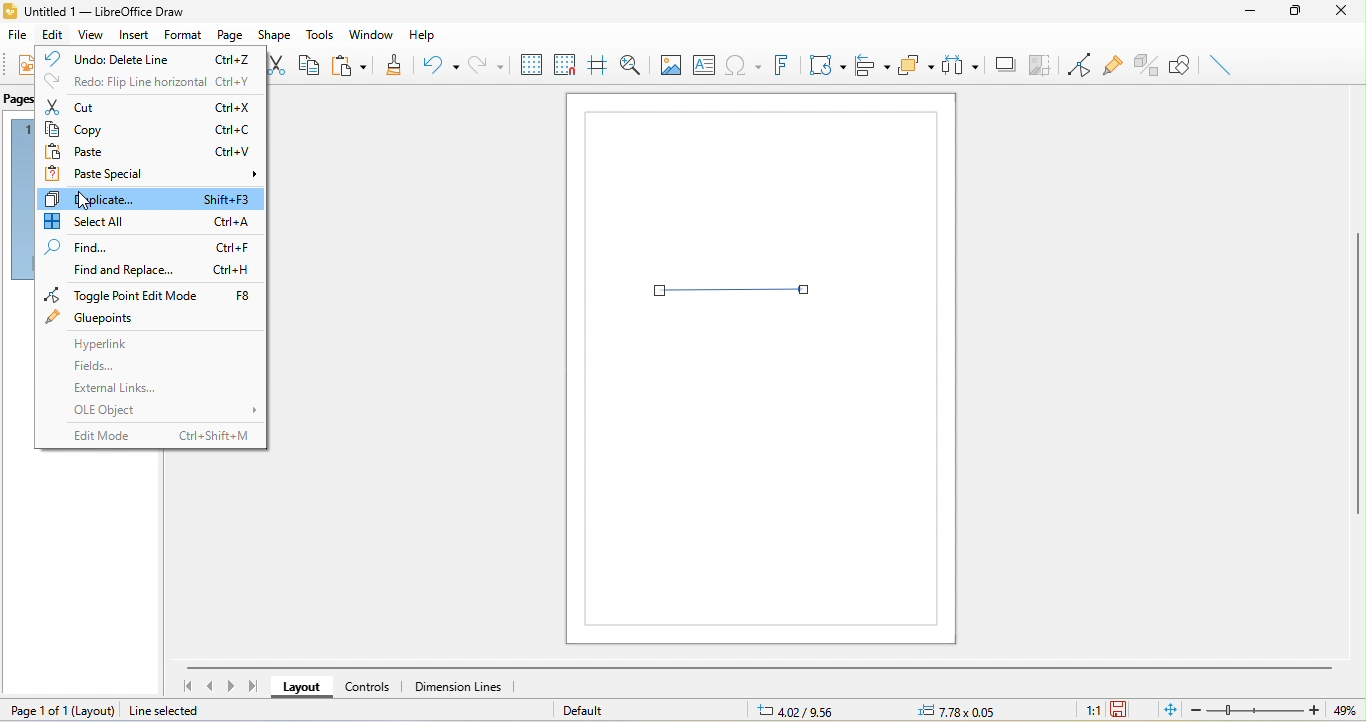 This screenshot has height=722, width=1366. Describe the element at coordinates (152, 129) in the screenshot. I see `copy` at that location.